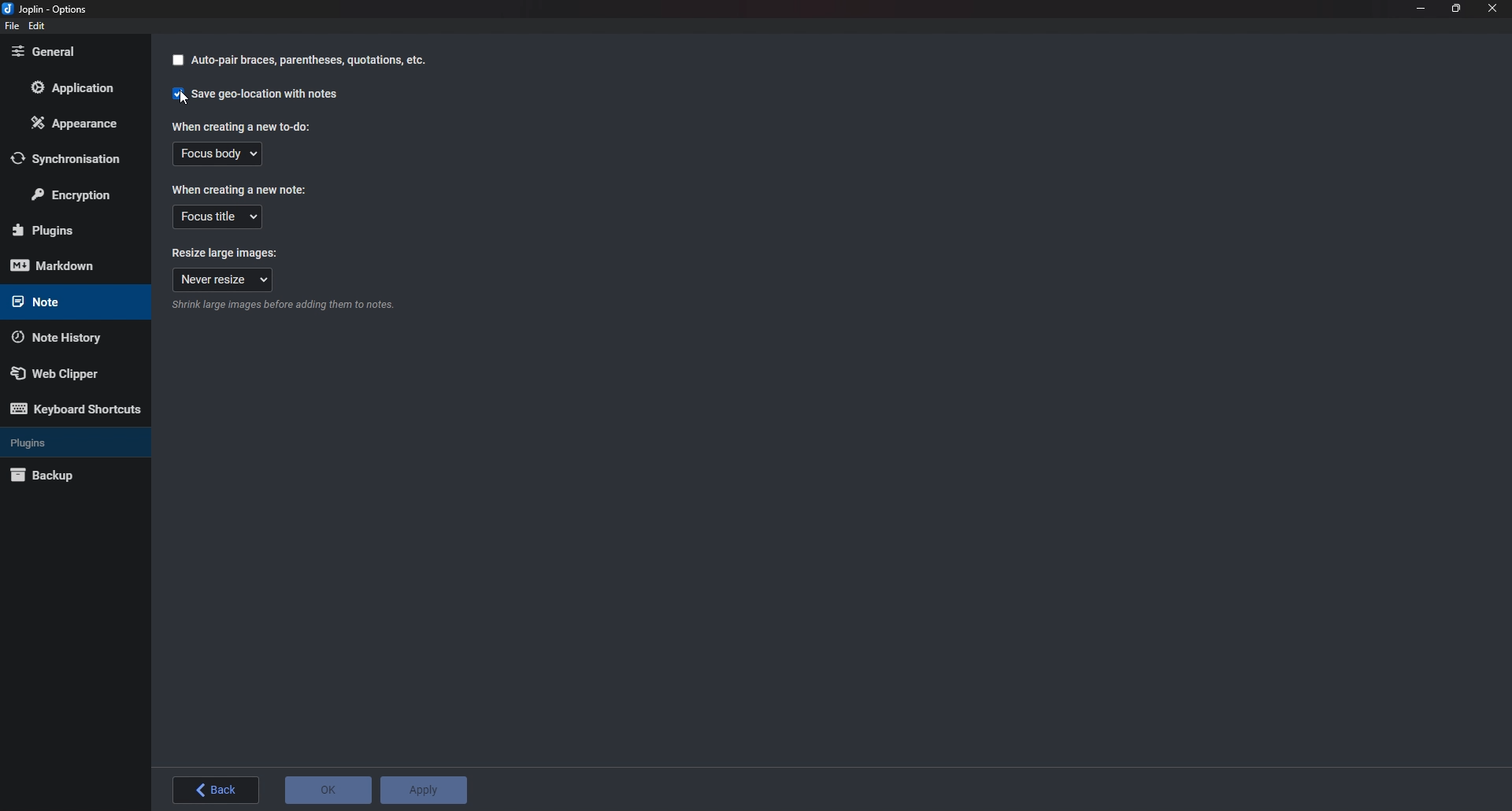 Image resolution: width=1512 pixels, height=811 pixels. Describe the element at coordinates (36, 25) in the screenshot. I see `eDIT` at that location.